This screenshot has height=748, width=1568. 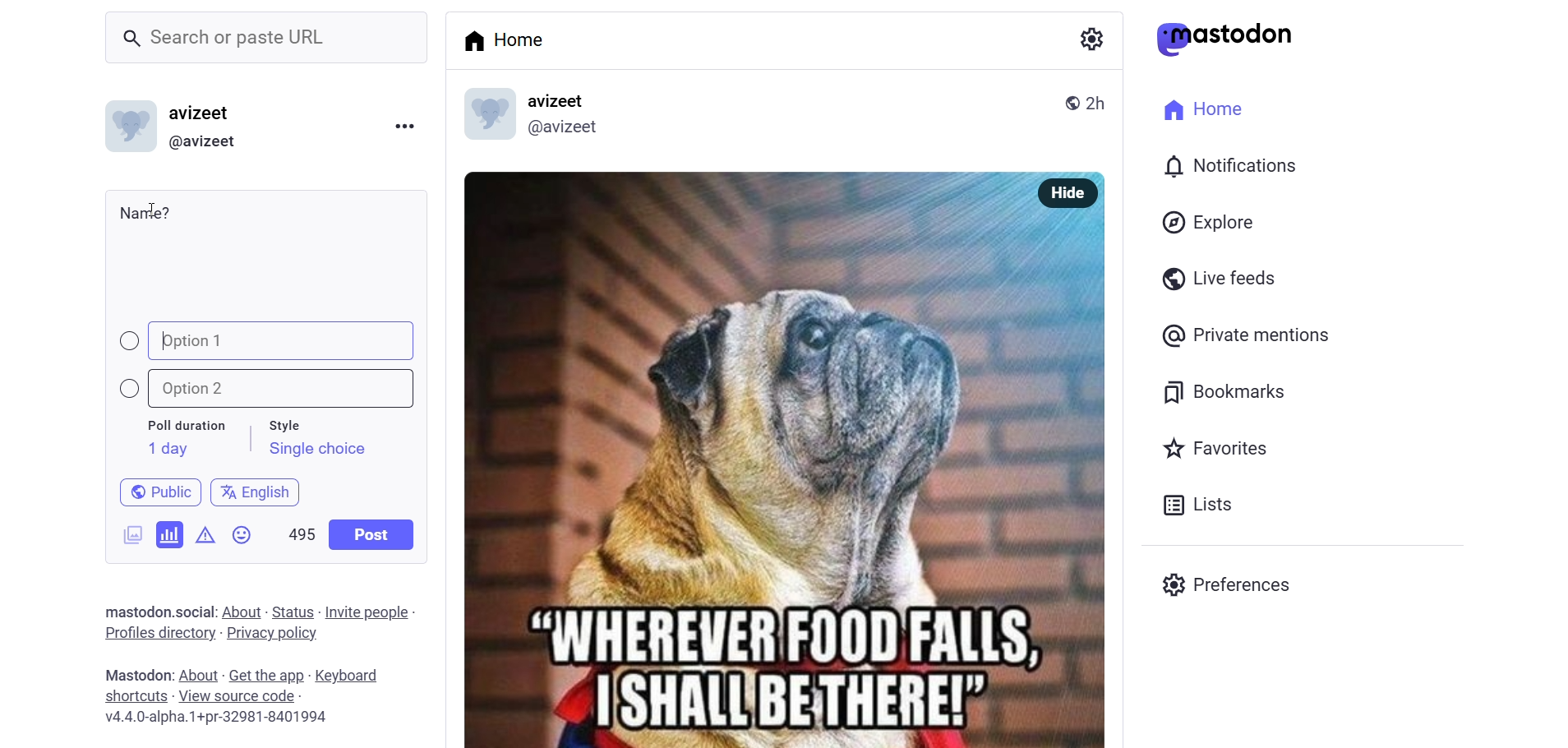 What do you see at coordinates (196, 676) in the screenshot?
I see `about` at bounding box center [196, 676].